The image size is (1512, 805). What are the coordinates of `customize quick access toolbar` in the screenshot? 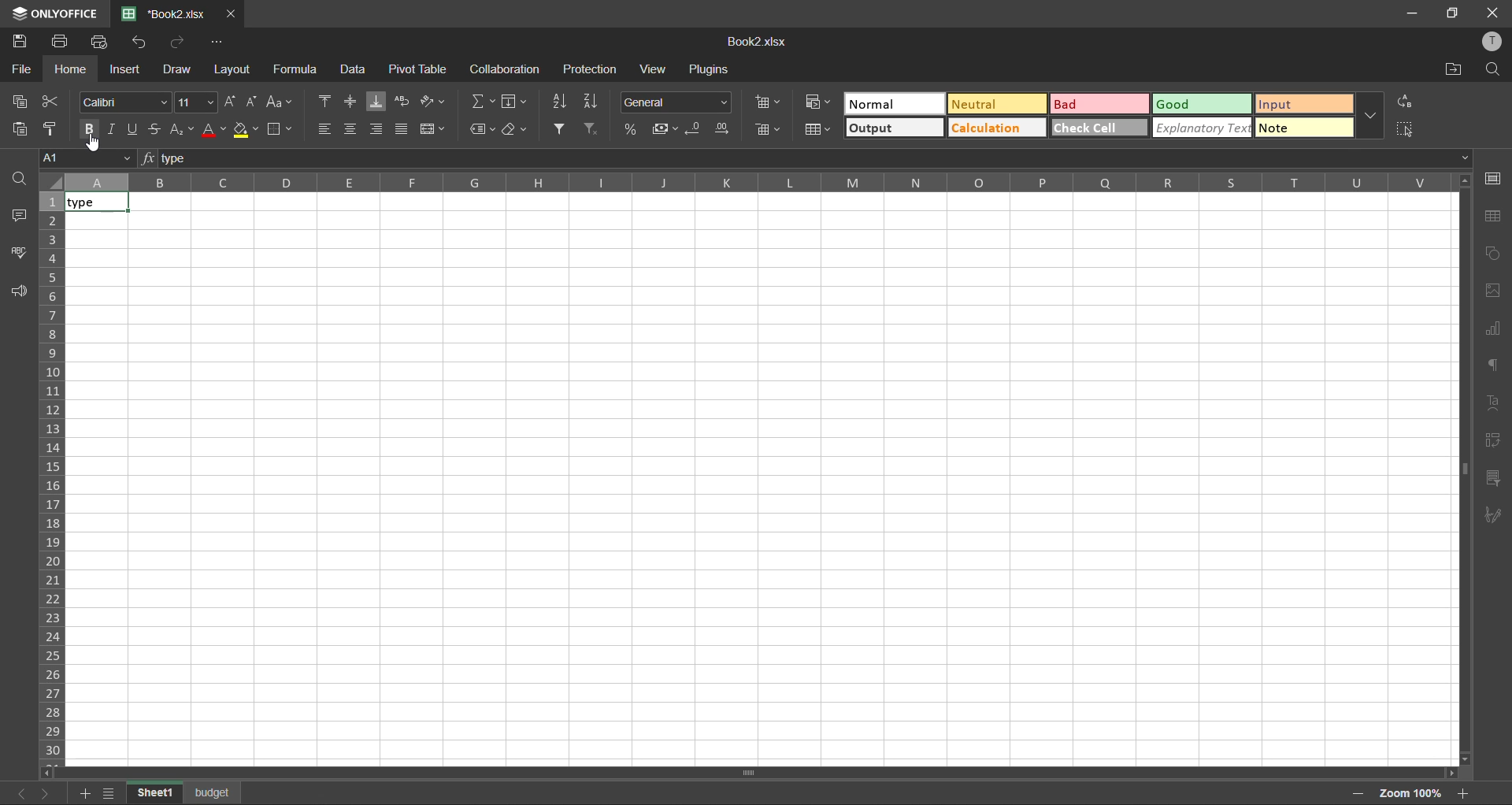 It's located at (218, 43).